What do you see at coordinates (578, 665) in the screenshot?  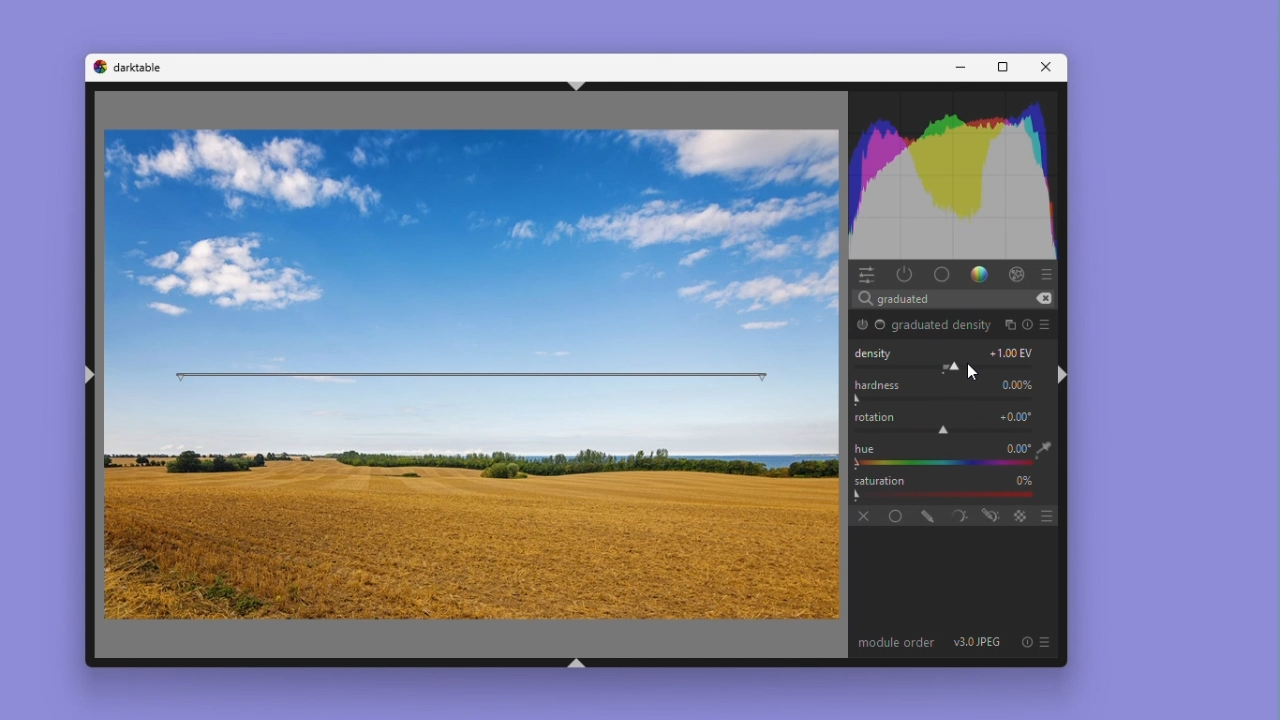 I see `shift+ctrl+b` at bounding box center [578, 665].